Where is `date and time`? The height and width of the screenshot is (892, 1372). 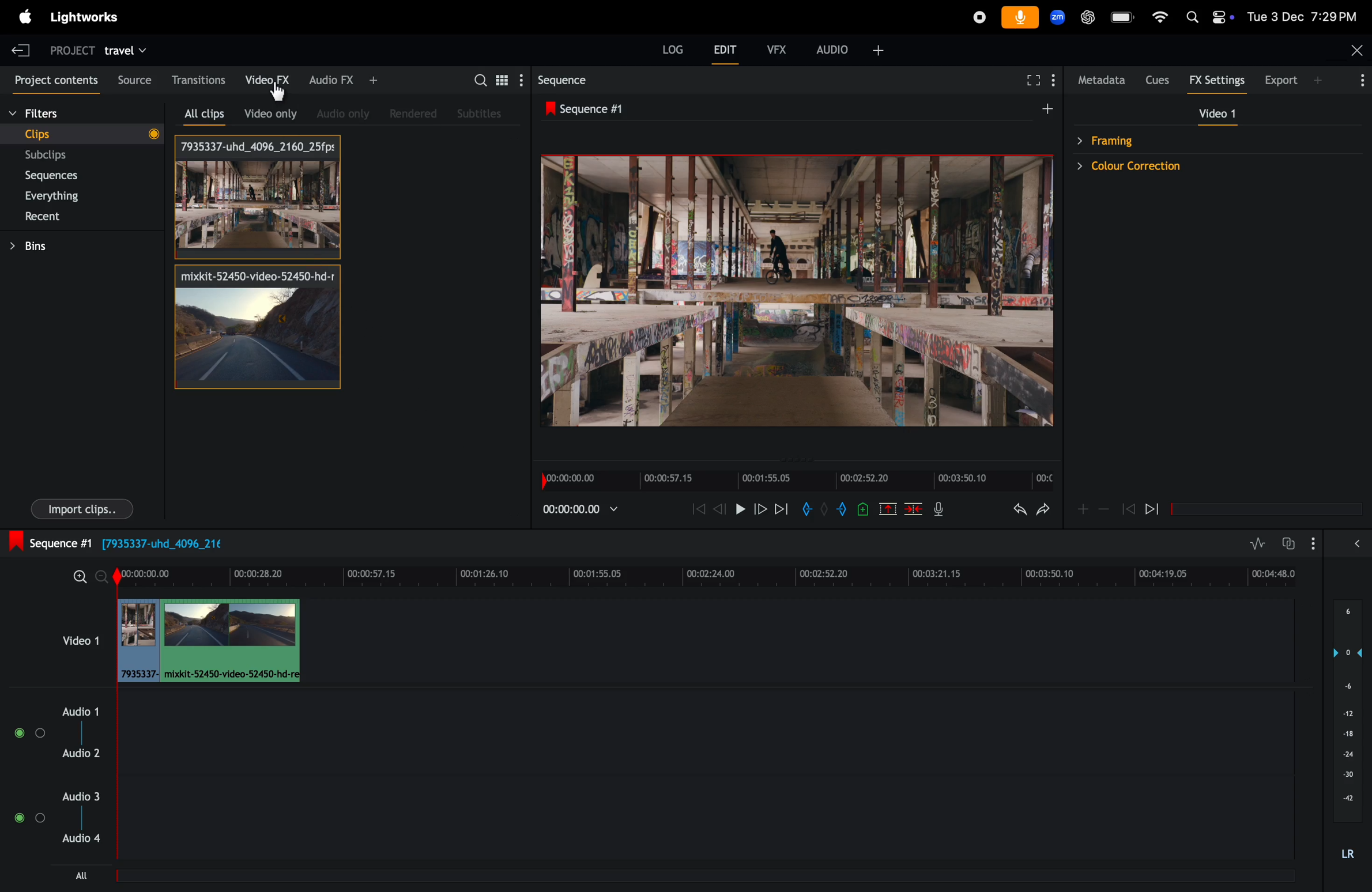 date and time is located at coordinates (1303, 17).